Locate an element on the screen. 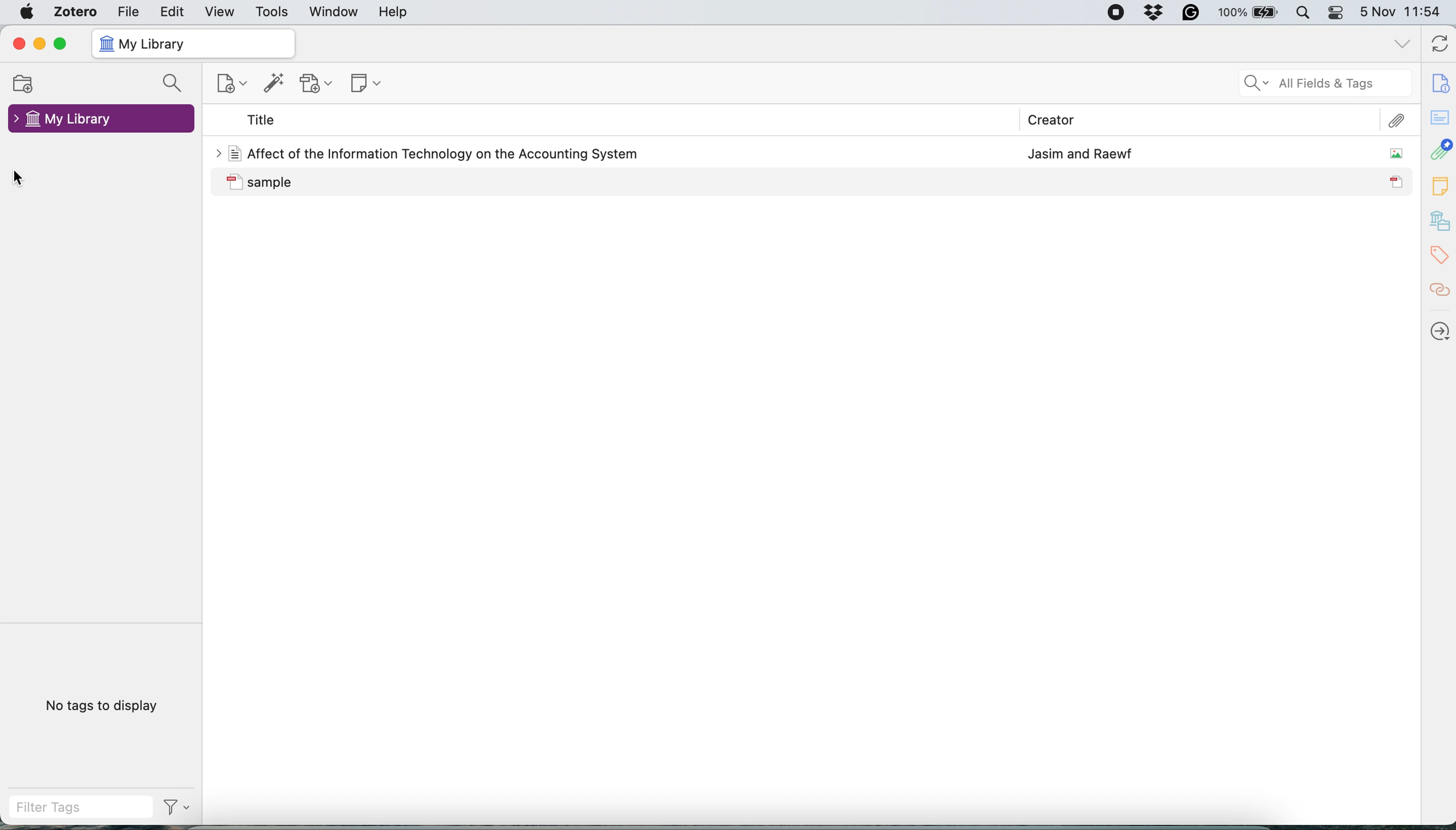 This screenshot has width=1456, height=830. File title is located at coordinates (427, 153).